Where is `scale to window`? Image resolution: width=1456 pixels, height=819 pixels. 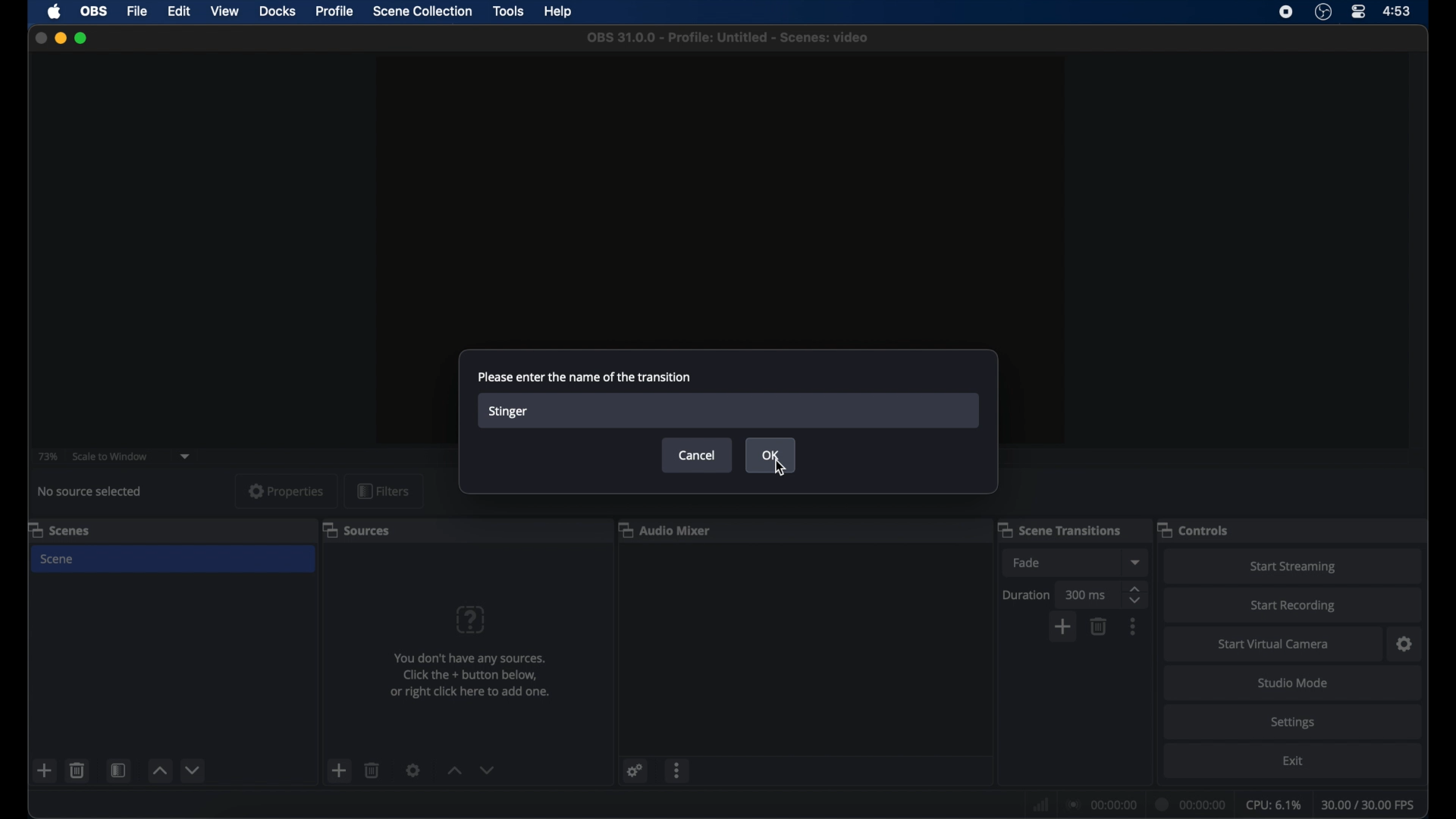
scale to window is located at coordinates (112, 457).